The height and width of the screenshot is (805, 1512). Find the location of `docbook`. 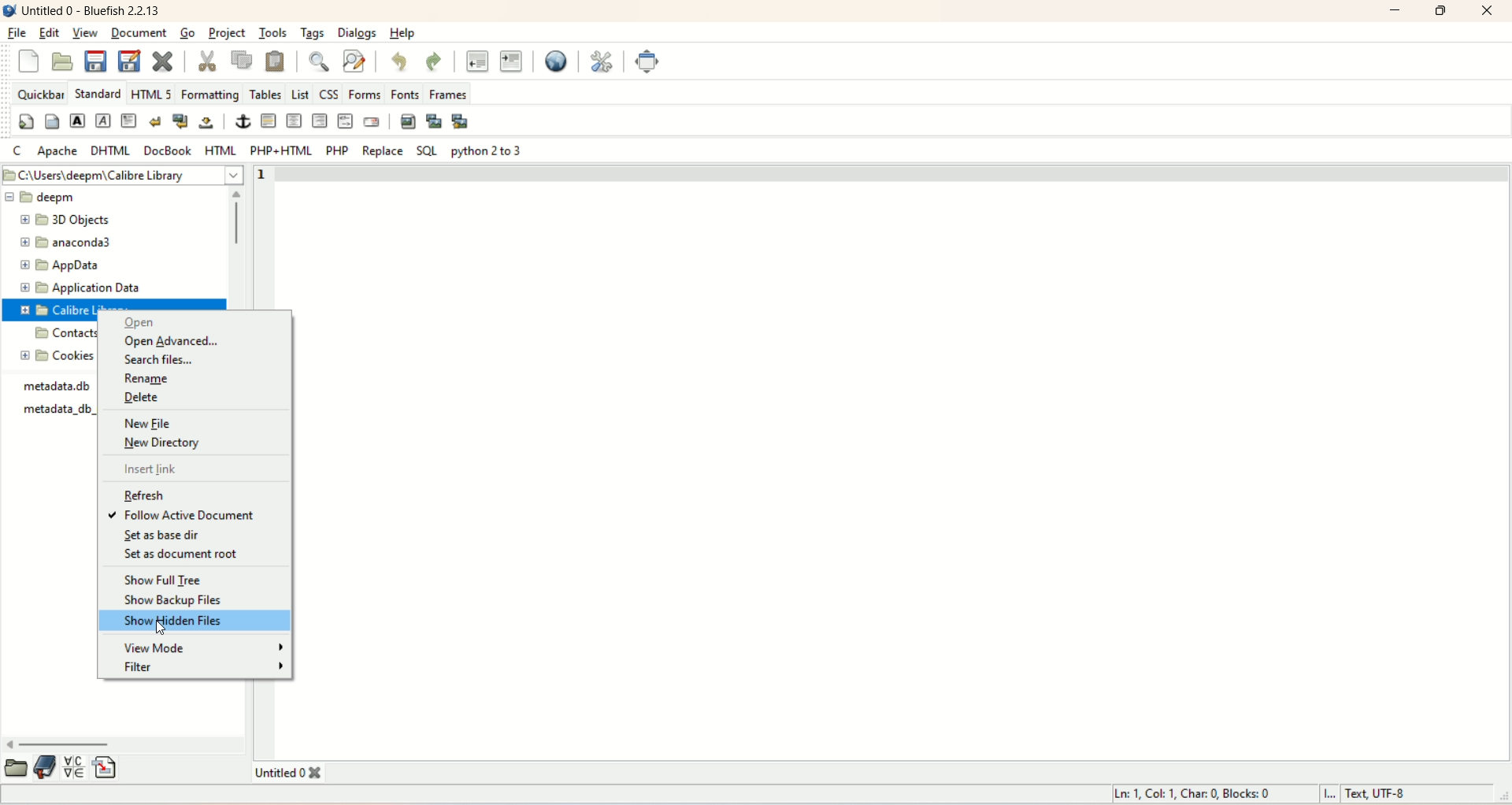

docbook is located at coordinates (168, 150).